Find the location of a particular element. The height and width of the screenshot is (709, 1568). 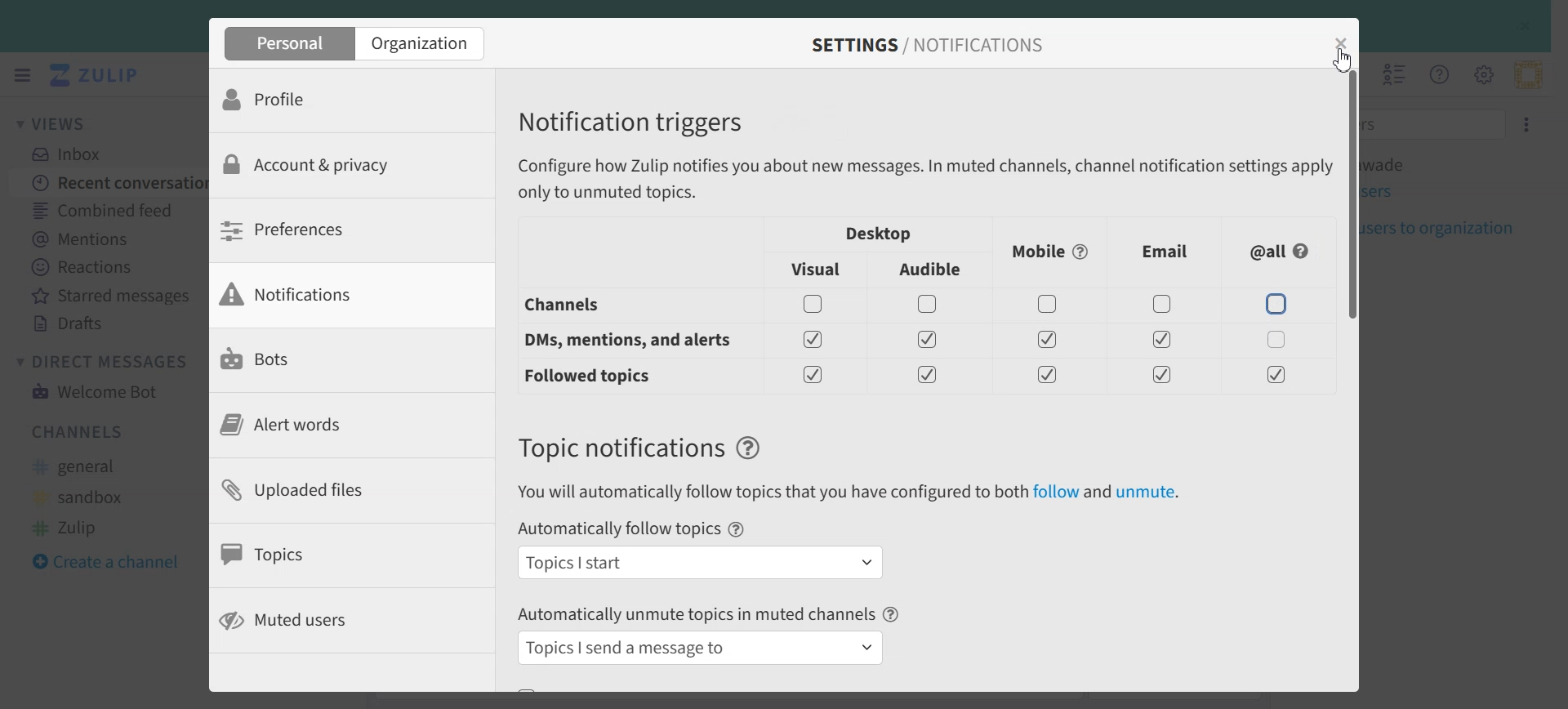

Personal menu is located at coordinates (1528, 74).